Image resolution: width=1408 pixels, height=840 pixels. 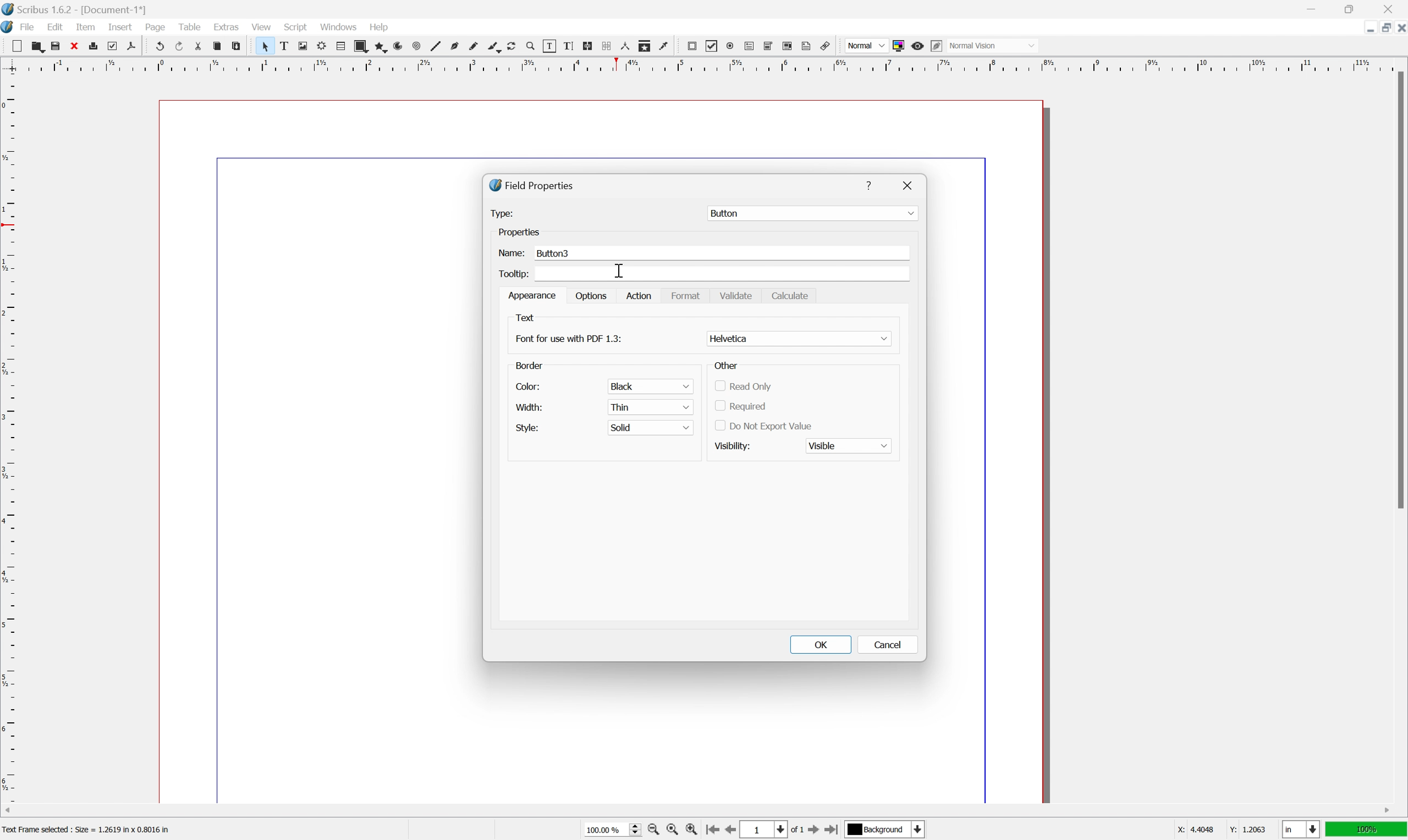 What do you see at coordinates (569, 46) in the screenshot?
I see `edit text with story editor` at bounding box center [569, 46].